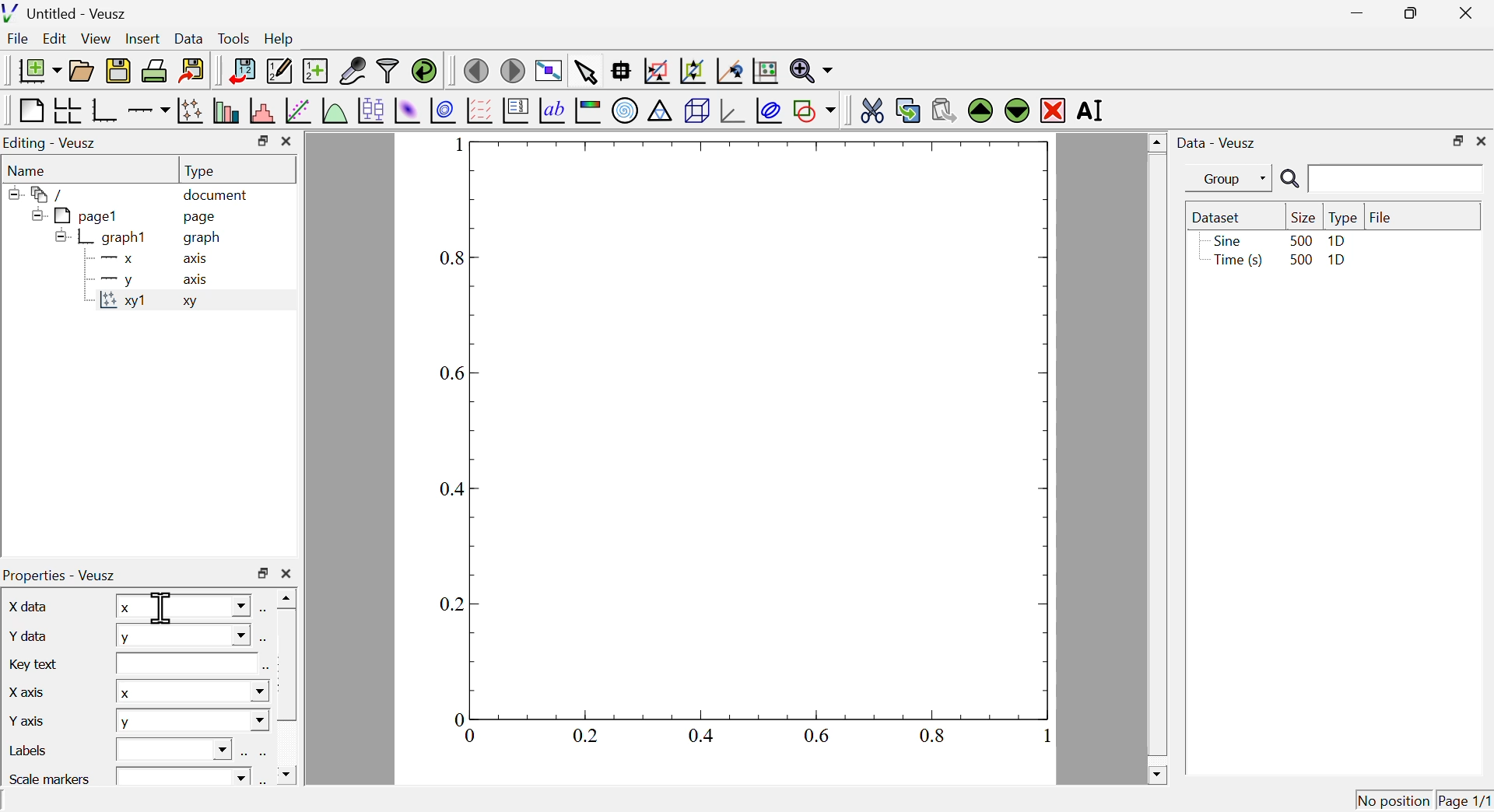 The height and width of the screenshot is (812, 1494). What do you see at coordinates (77, 215) in the screenshot?
I see `page1` at bounding box center [77, 215].